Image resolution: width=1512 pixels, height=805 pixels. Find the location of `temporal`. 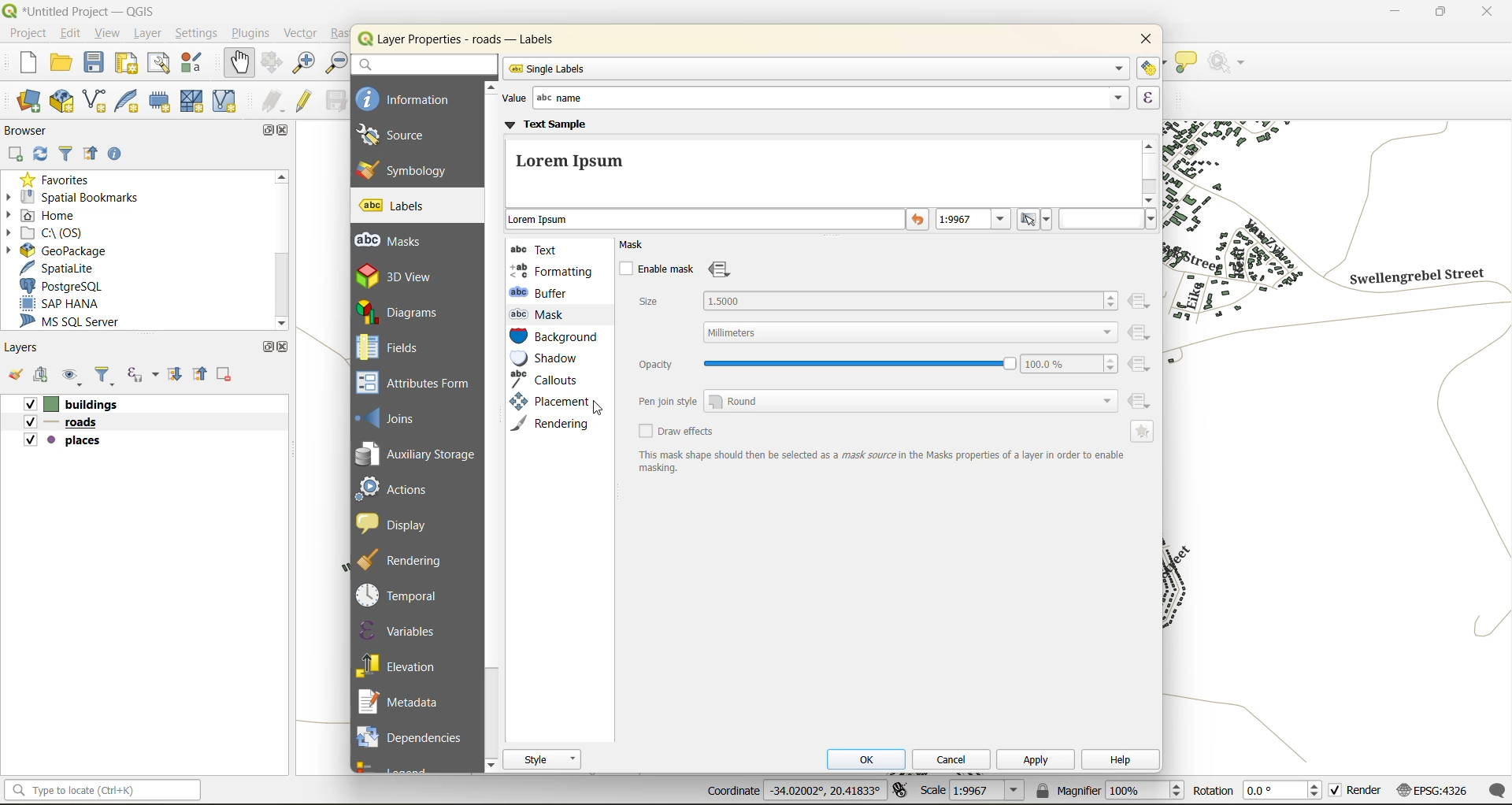

temporal is located at coordinates (402, 595).